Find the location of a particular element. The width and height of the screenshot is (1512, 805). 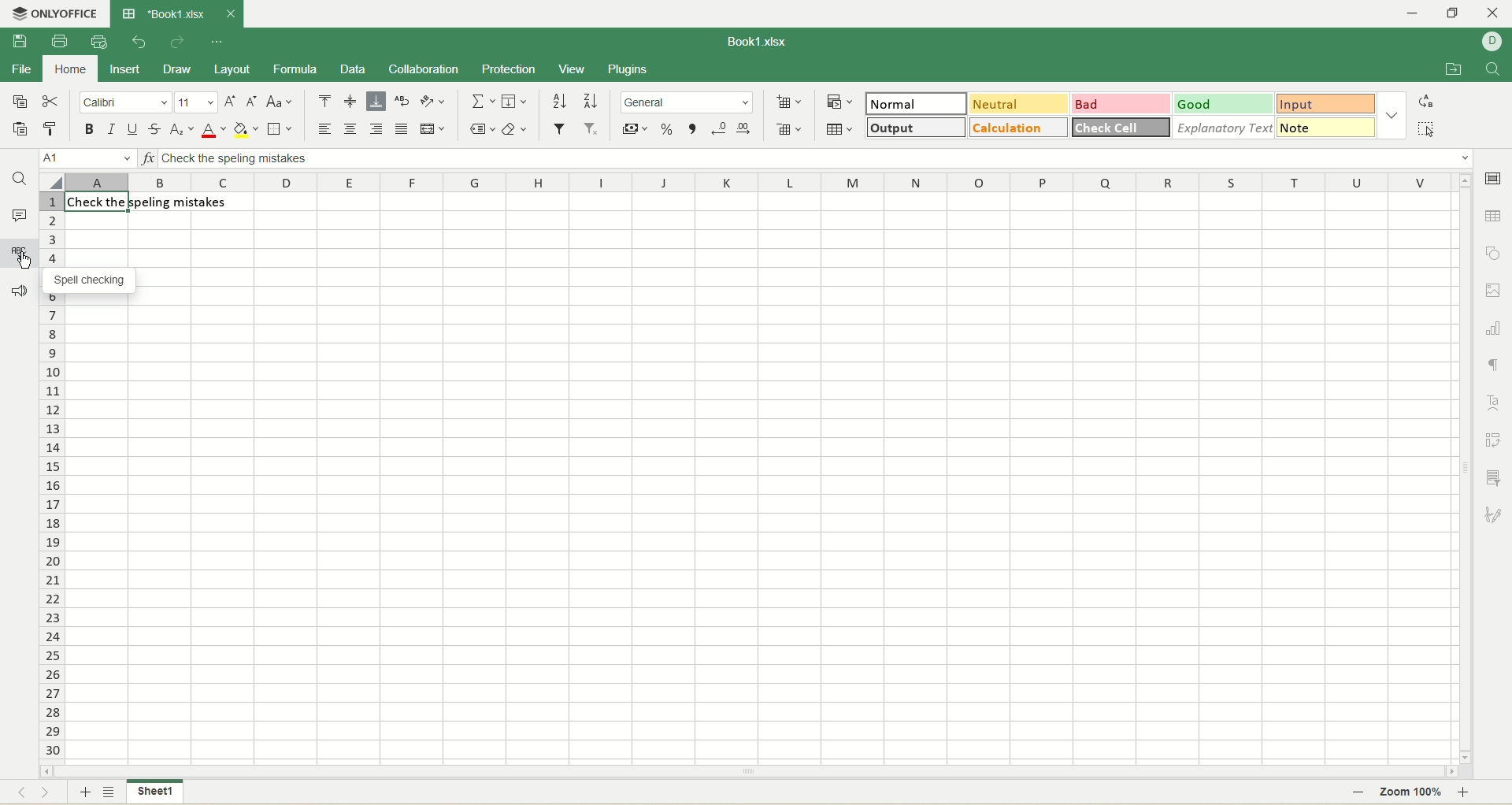

home is located at coordinates (70, 71).